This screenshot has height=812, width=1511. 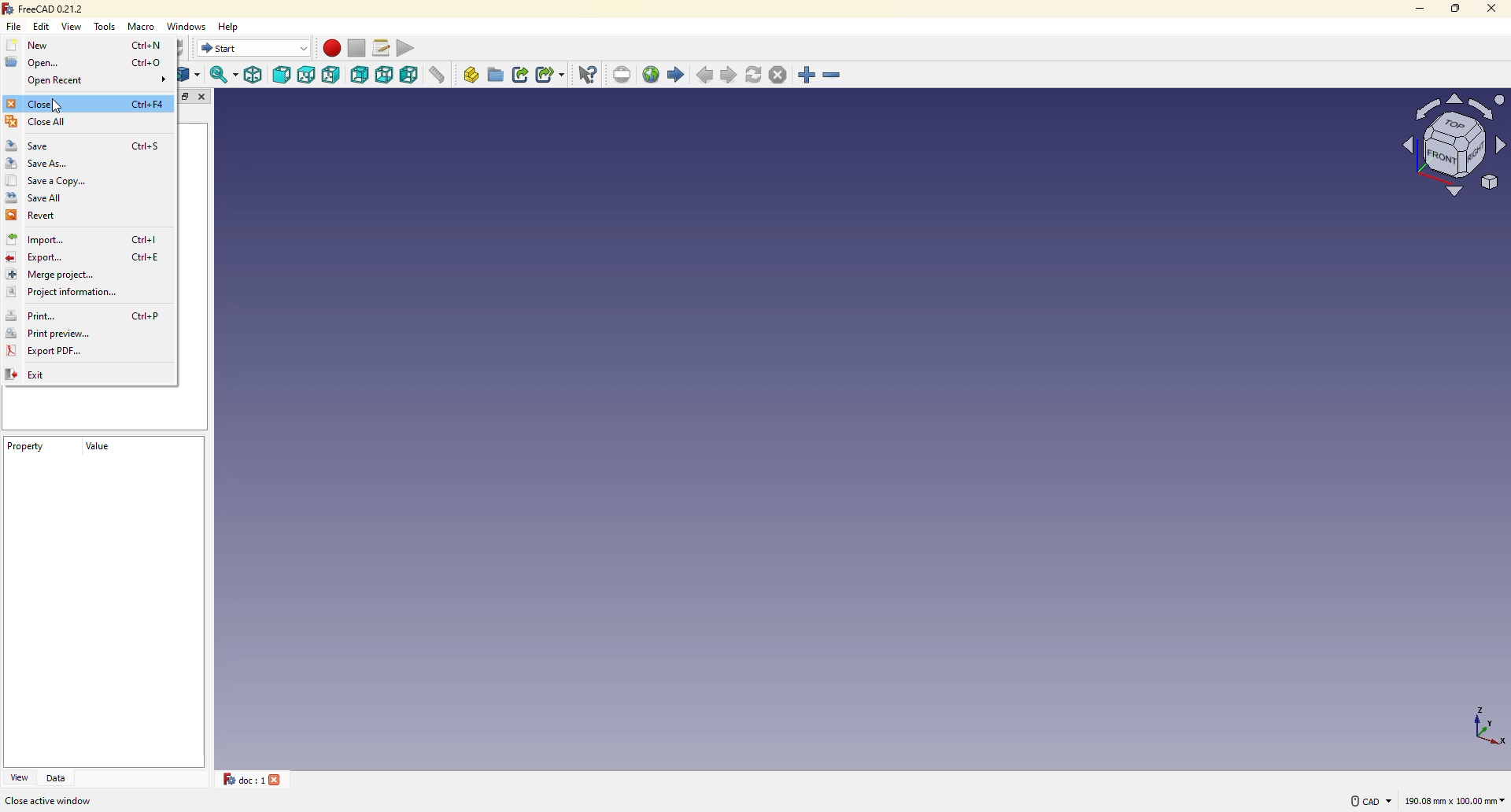 What do you see at coordinates (190, 26) in the screenshot?
I see `windows` at bounding box center [190, 26].